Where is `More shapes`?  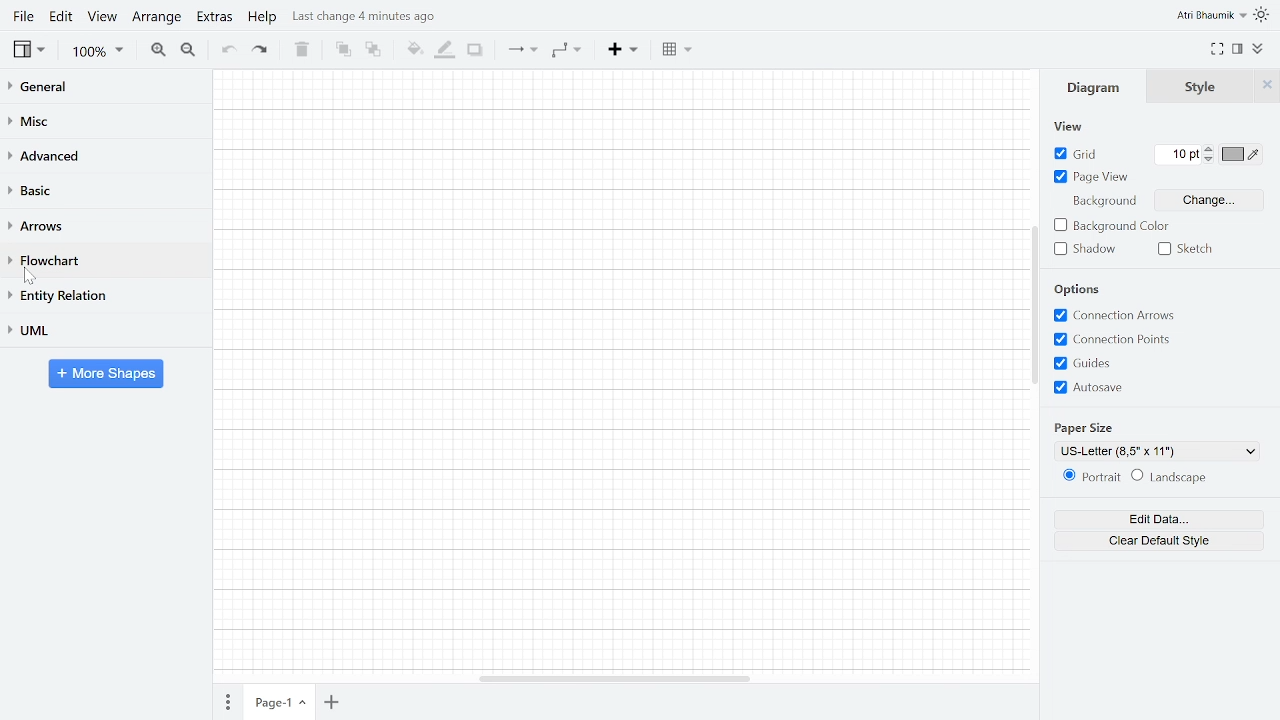
More shapes is located at coordinates (109, 376).